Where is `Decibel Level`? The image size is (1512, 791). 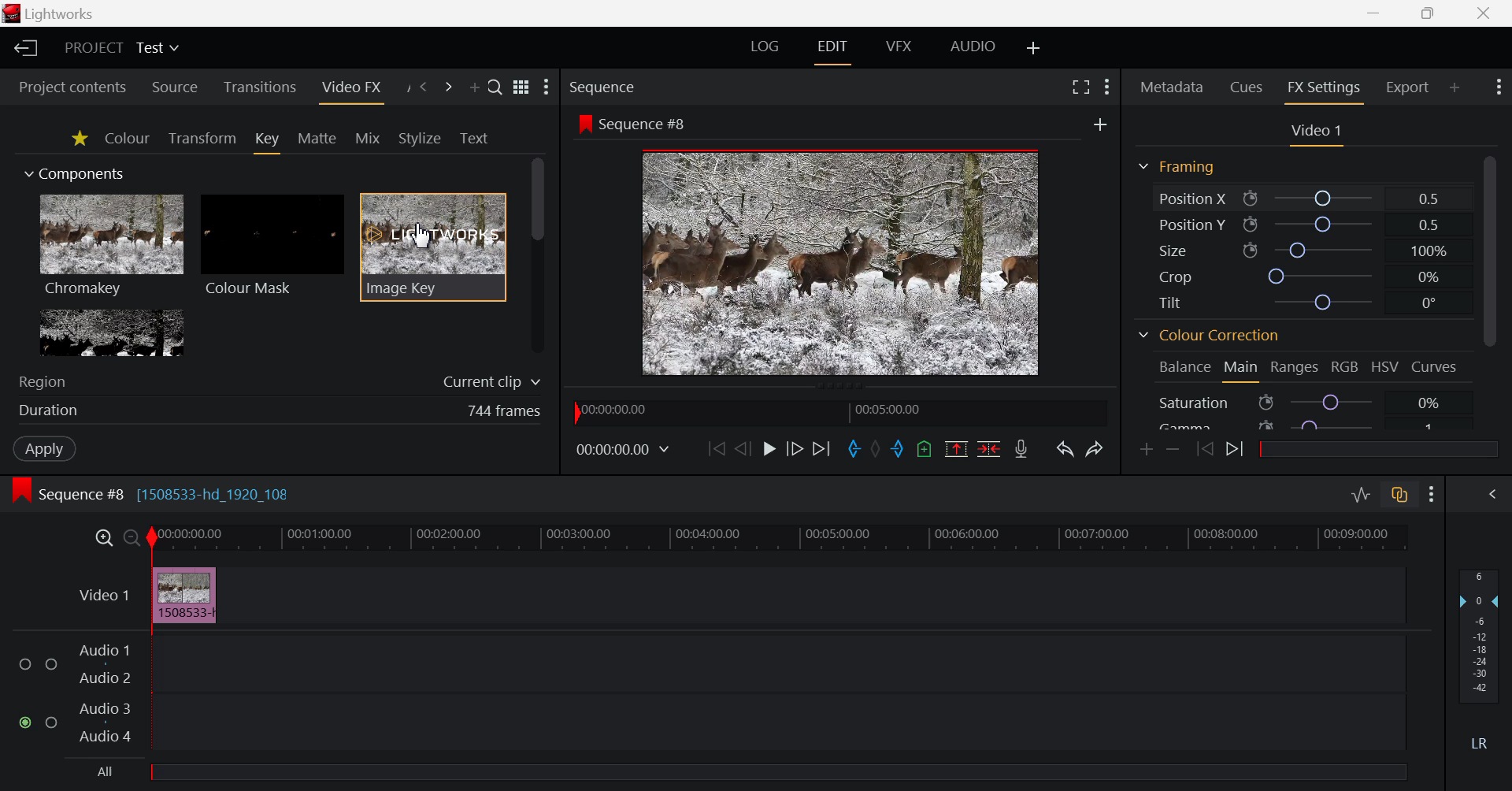 Decibel Level is located at coordinates (1480, 658).